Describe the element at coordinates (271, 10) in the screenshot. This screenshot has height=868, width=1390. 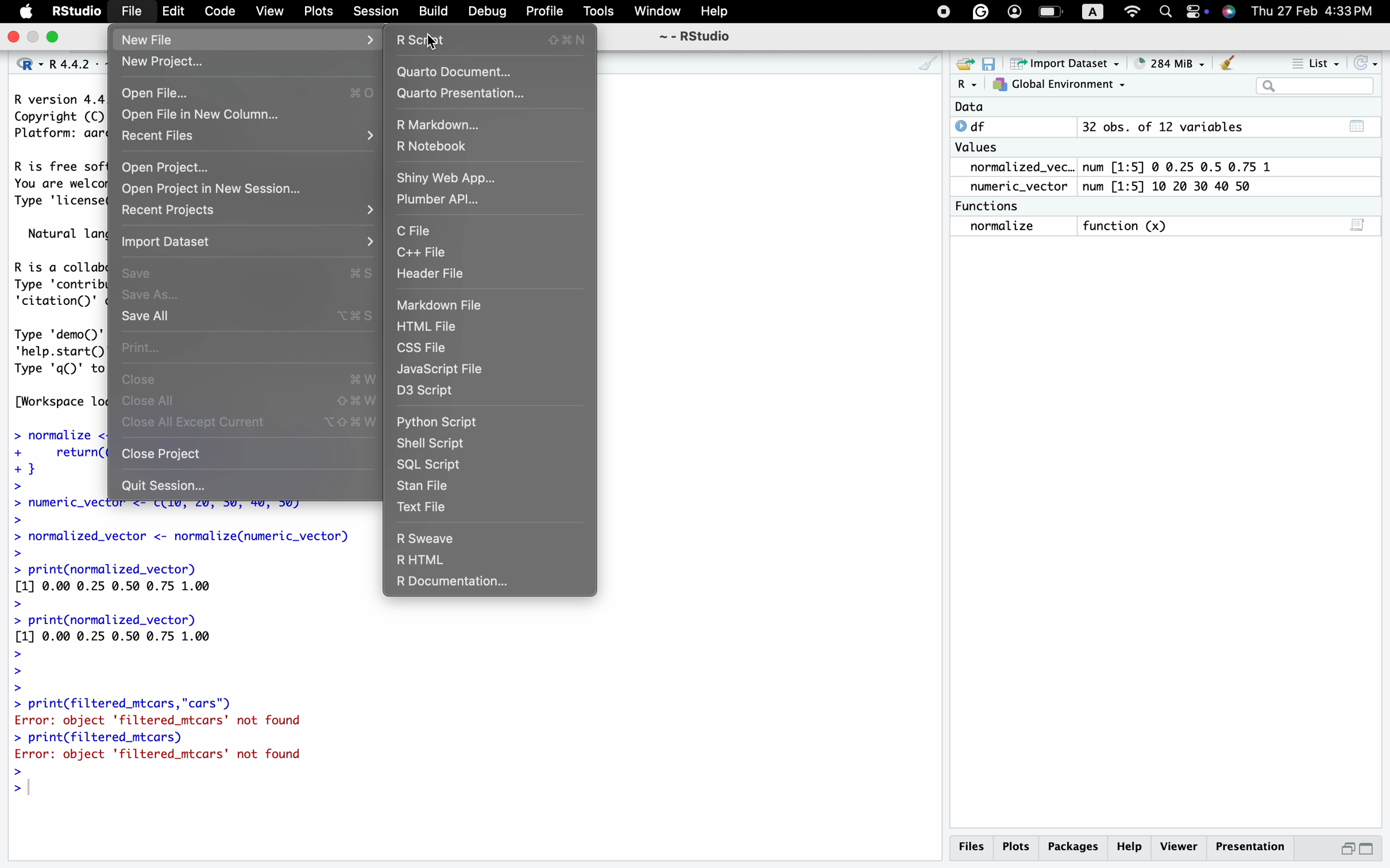
I see `View` at that location.